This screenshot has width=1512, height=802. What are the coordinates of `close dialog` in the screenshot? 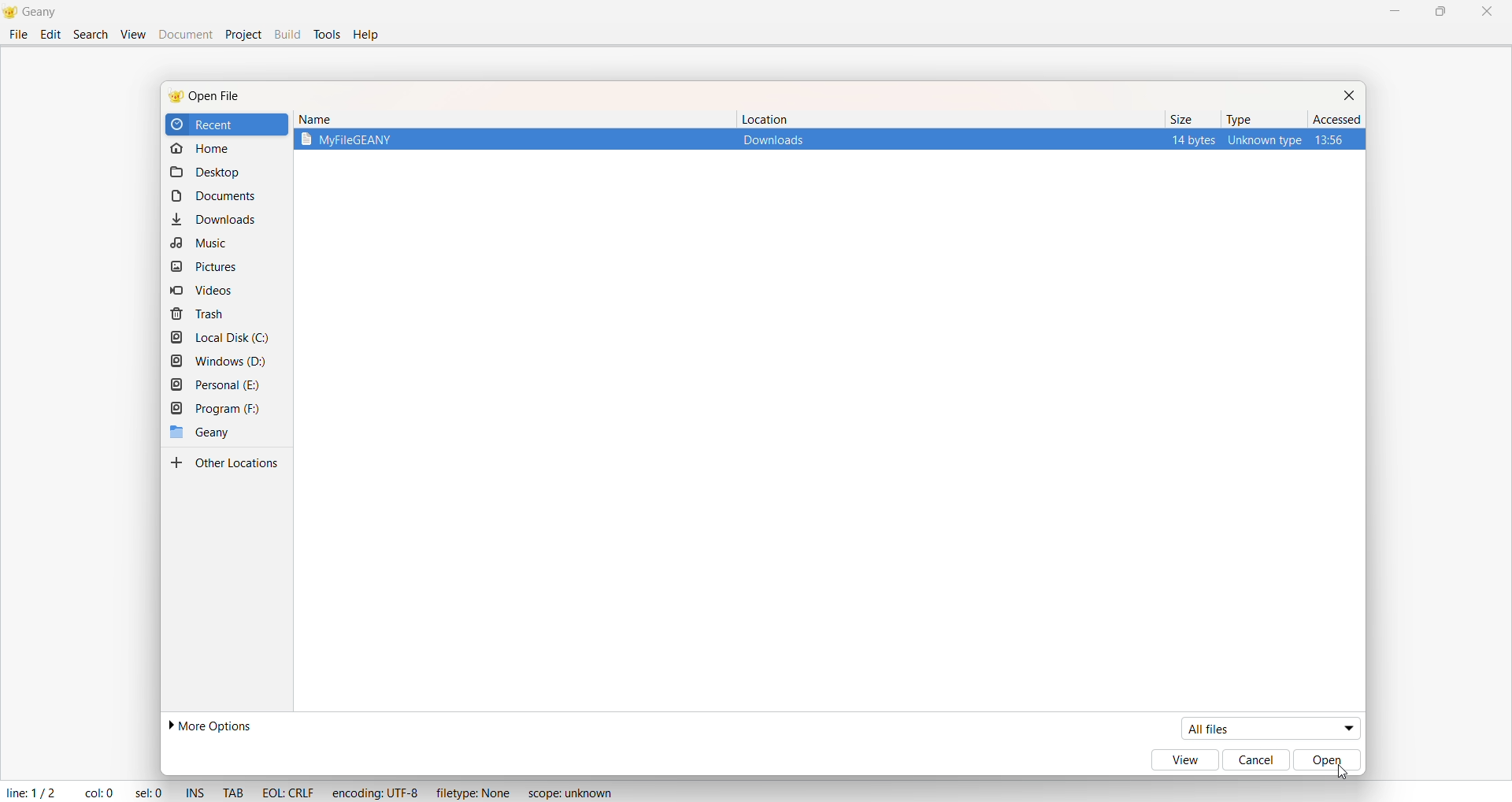 It's located at (1354, 98).